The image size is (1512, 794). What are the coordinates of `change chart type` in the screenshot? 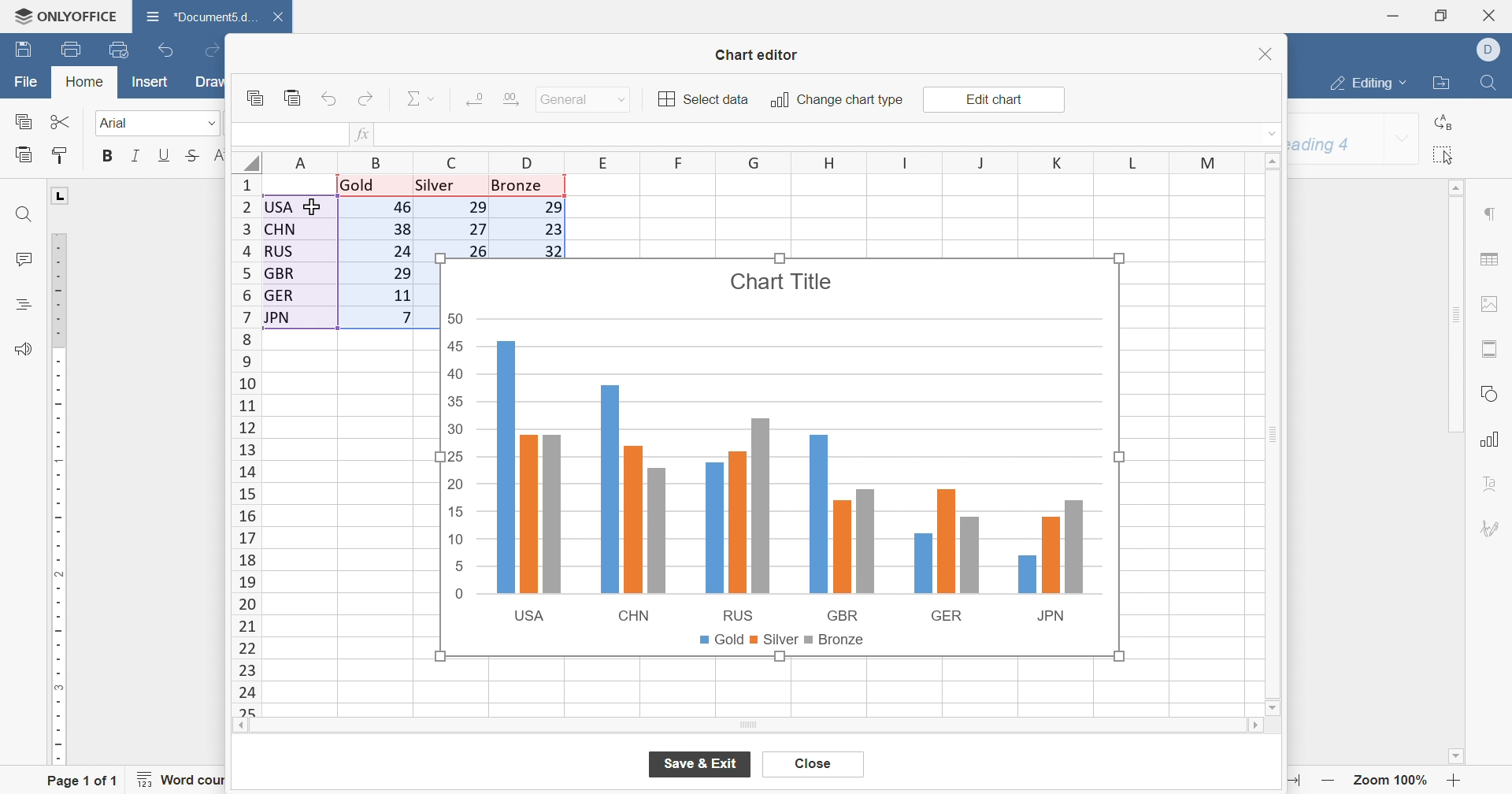 It's located at (836, 100).